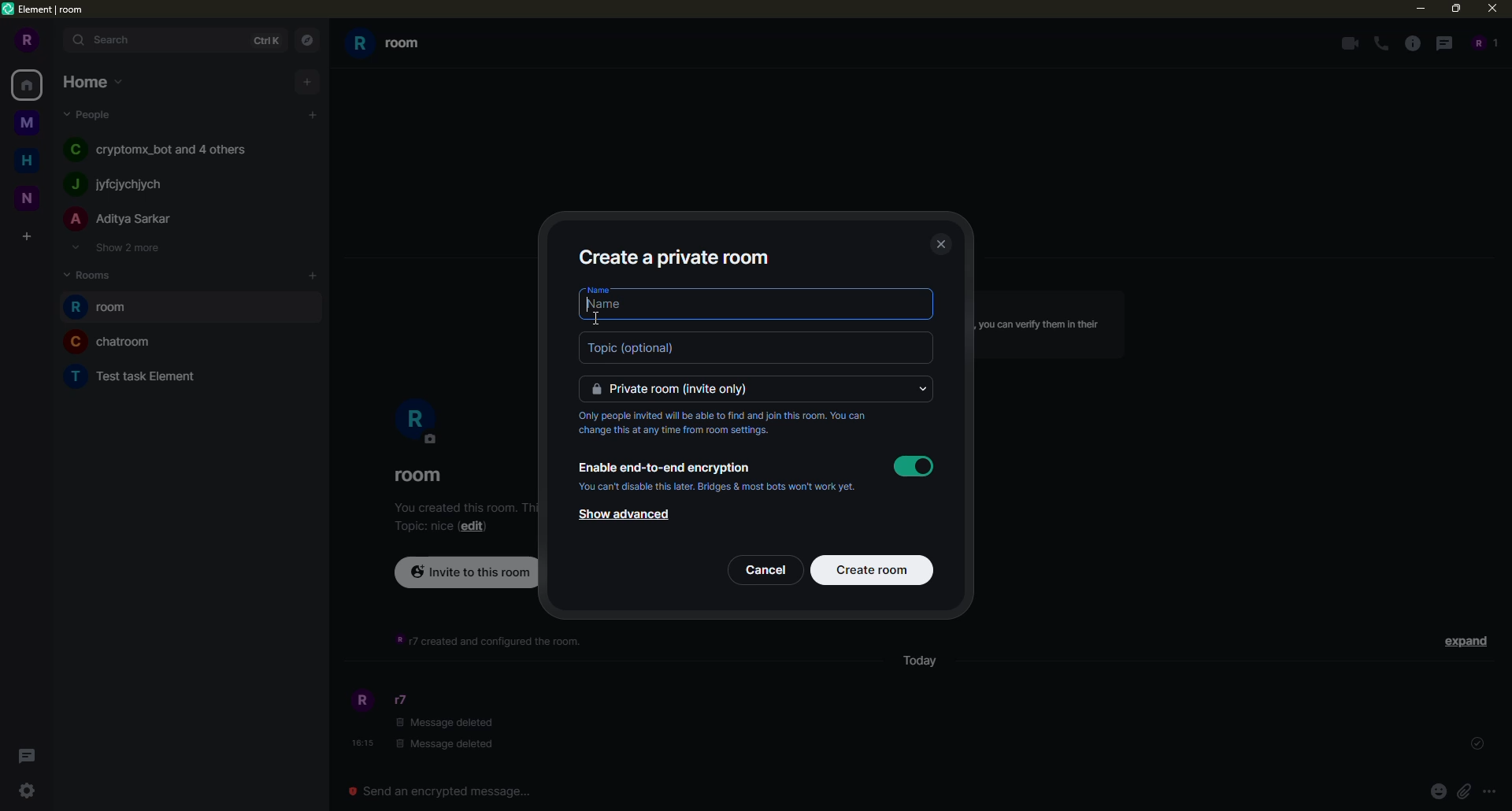 The image size is (1512, 811). Describe the element at coordinates (312, 114) in the screenshot. I see `add` at that location.